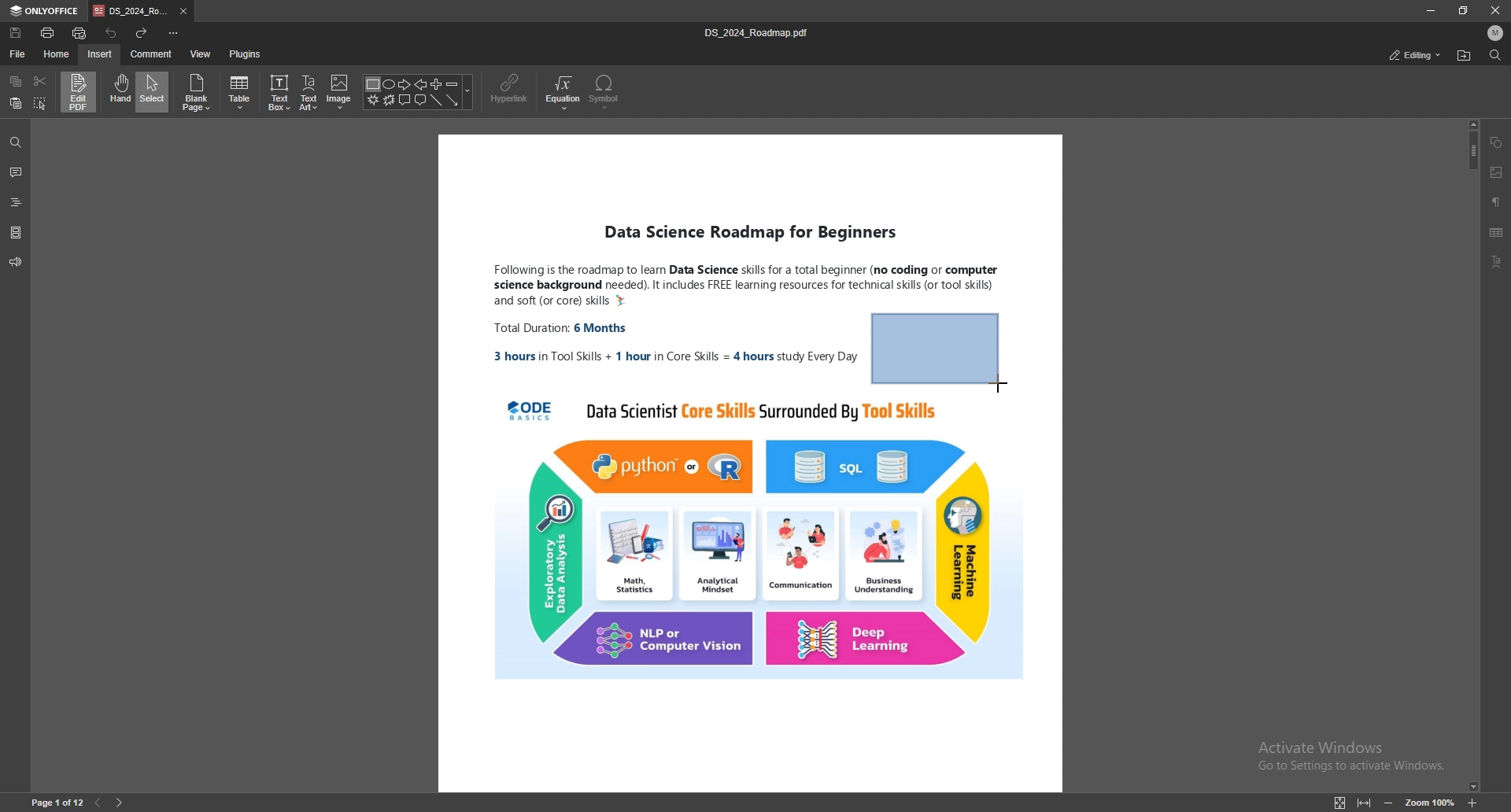 Image resolution: width=1511 pixels, height=812 pixels. Describe the element at coordinates (142, 32) in the screenshot. I see `redo` at that location.